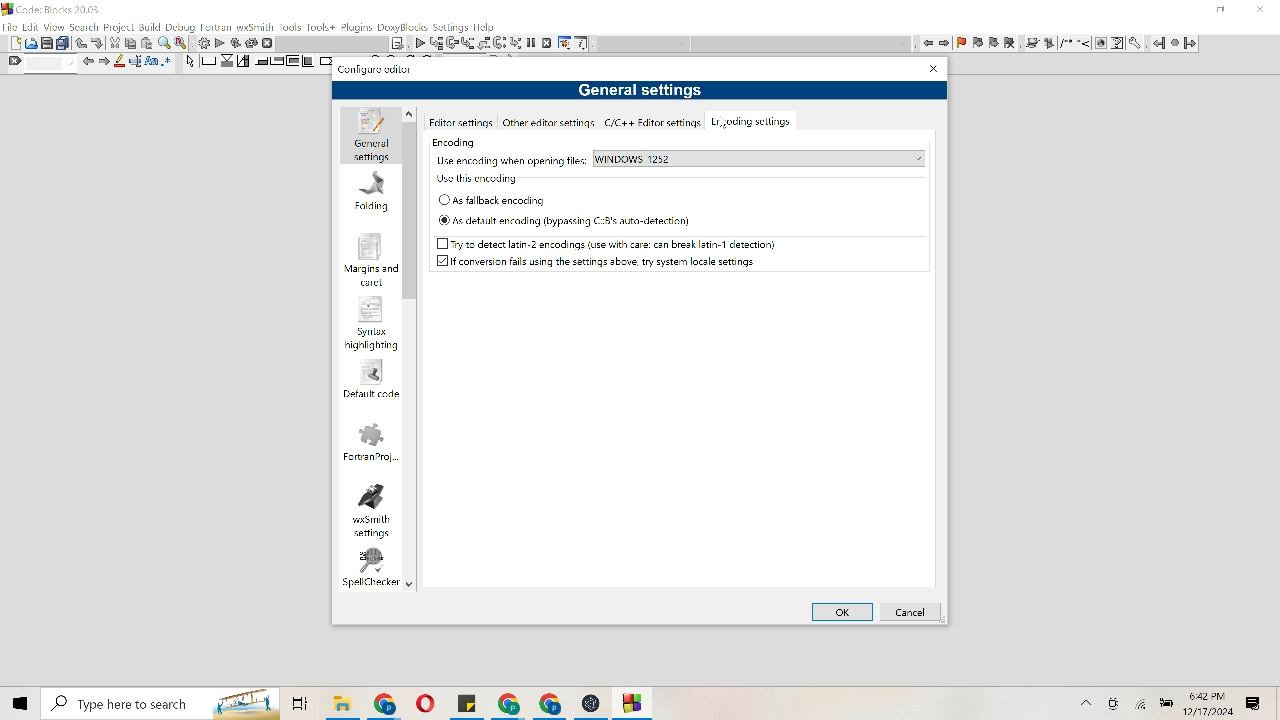 The image size is (1280, 720). What do you see at coordinates (10, 25) in the screenshot?
I see `File` at bounding box center [10, 25].